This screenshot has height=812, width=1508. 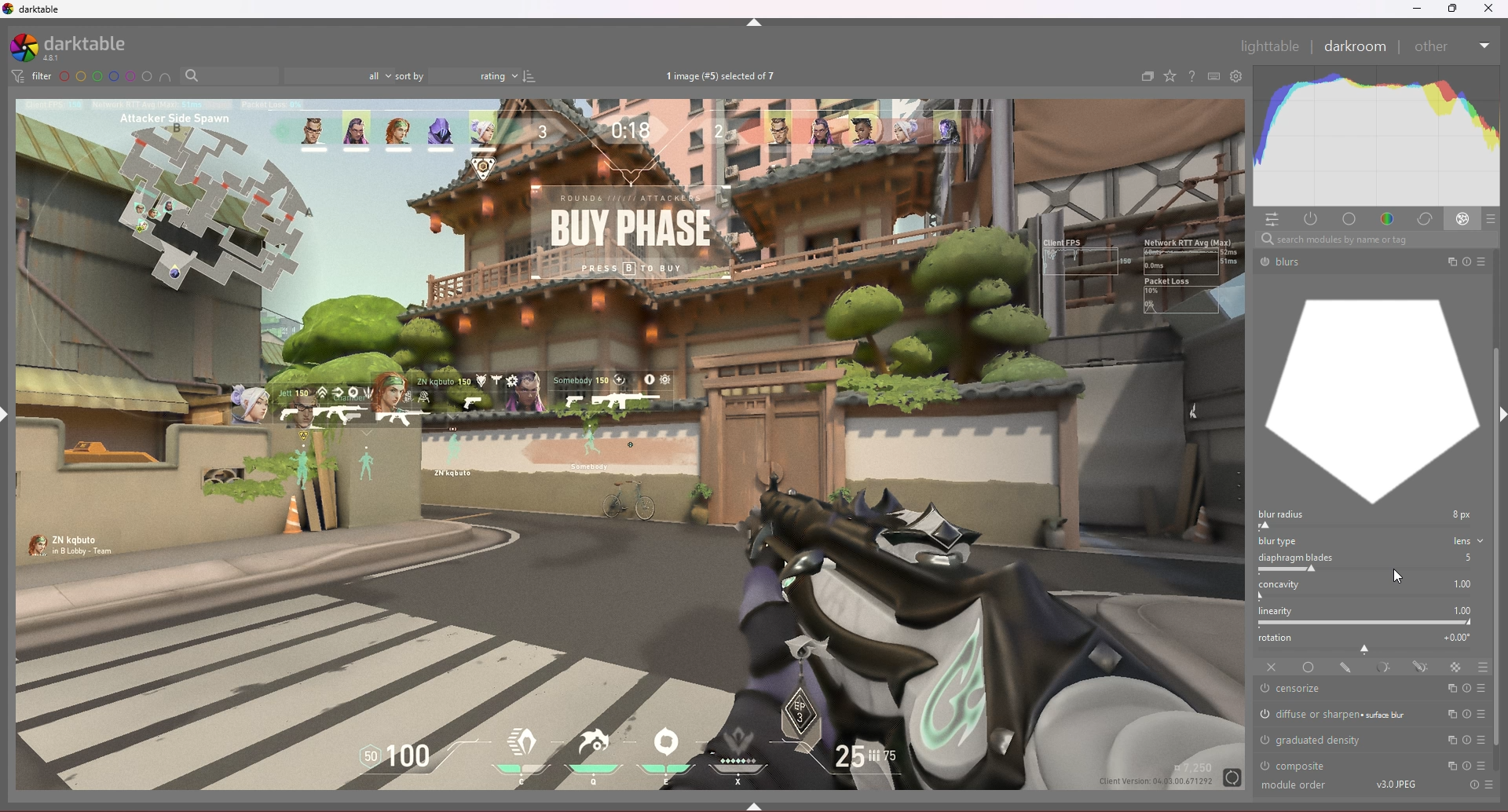 What do you see at coordinates (1300, 786) in the screenshot?
I see `` at bounding box center [1300, 786].